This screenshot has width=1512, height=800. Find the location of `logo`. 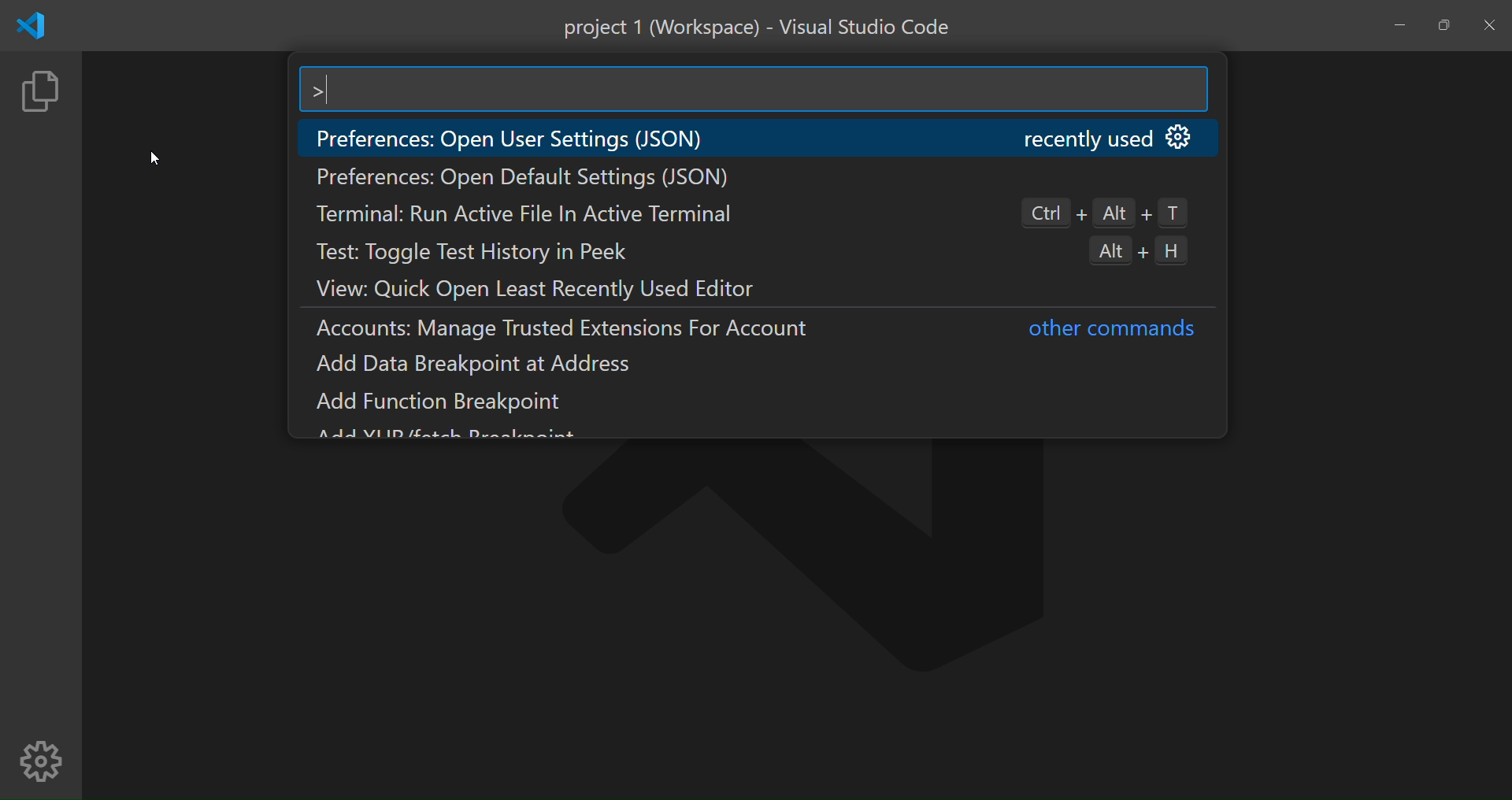

logo is located at coordinates (29, 27).